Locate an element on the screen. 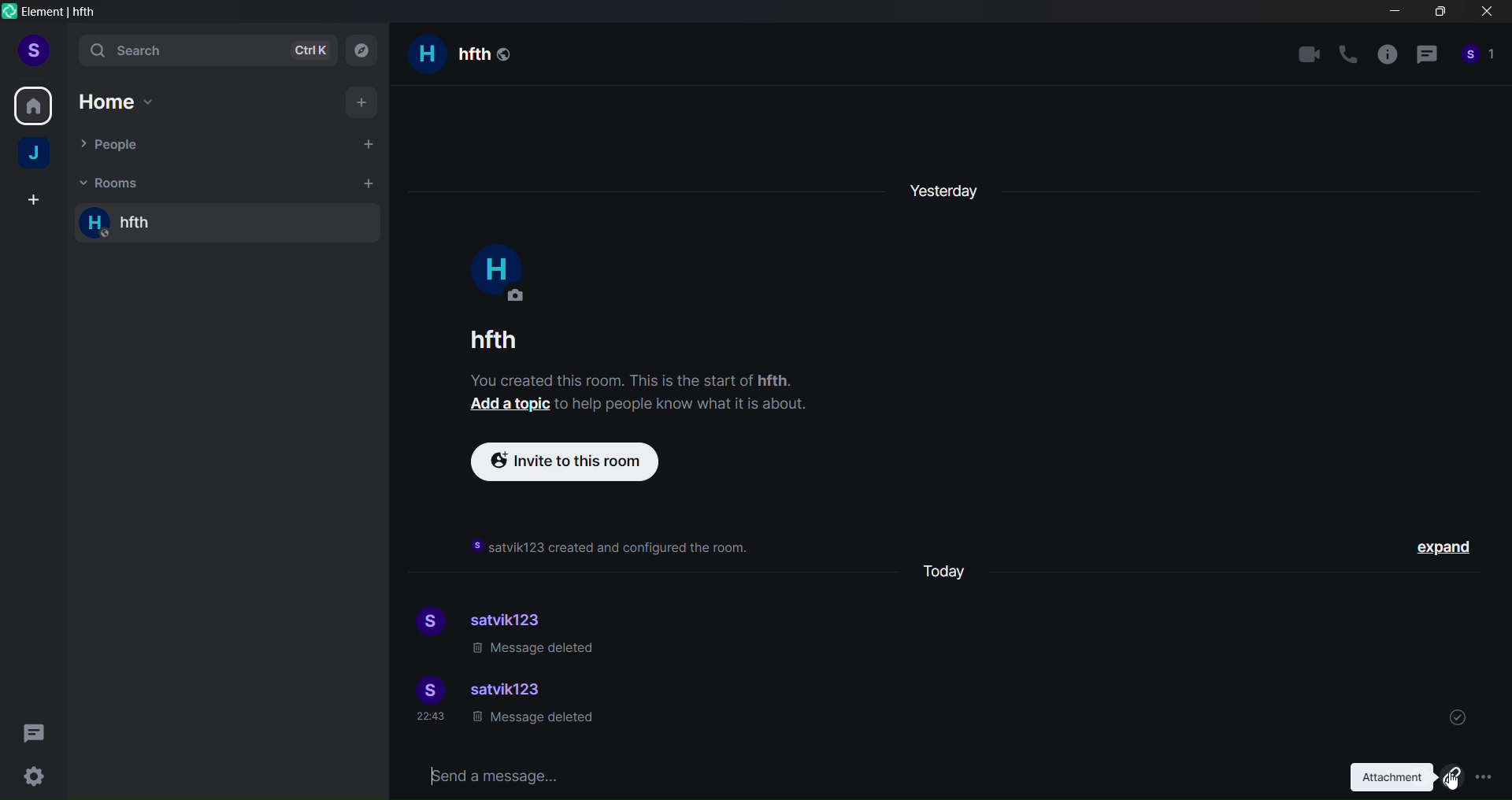 This screenshot has height=800, width=1512. start chat is located at coordinates (365, 143).